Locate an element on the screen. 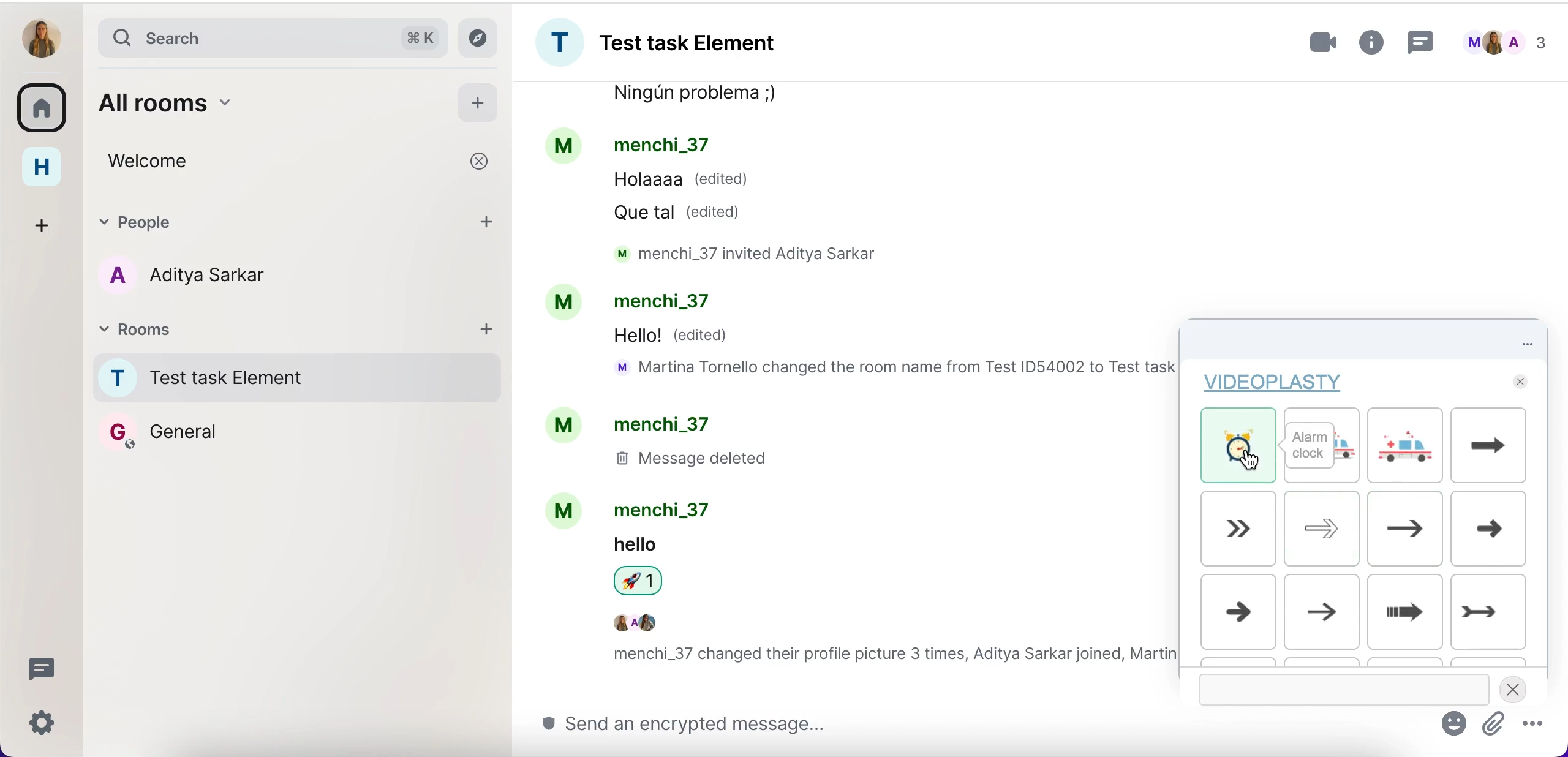  alarm clock is located at coordinates (1310, 446).